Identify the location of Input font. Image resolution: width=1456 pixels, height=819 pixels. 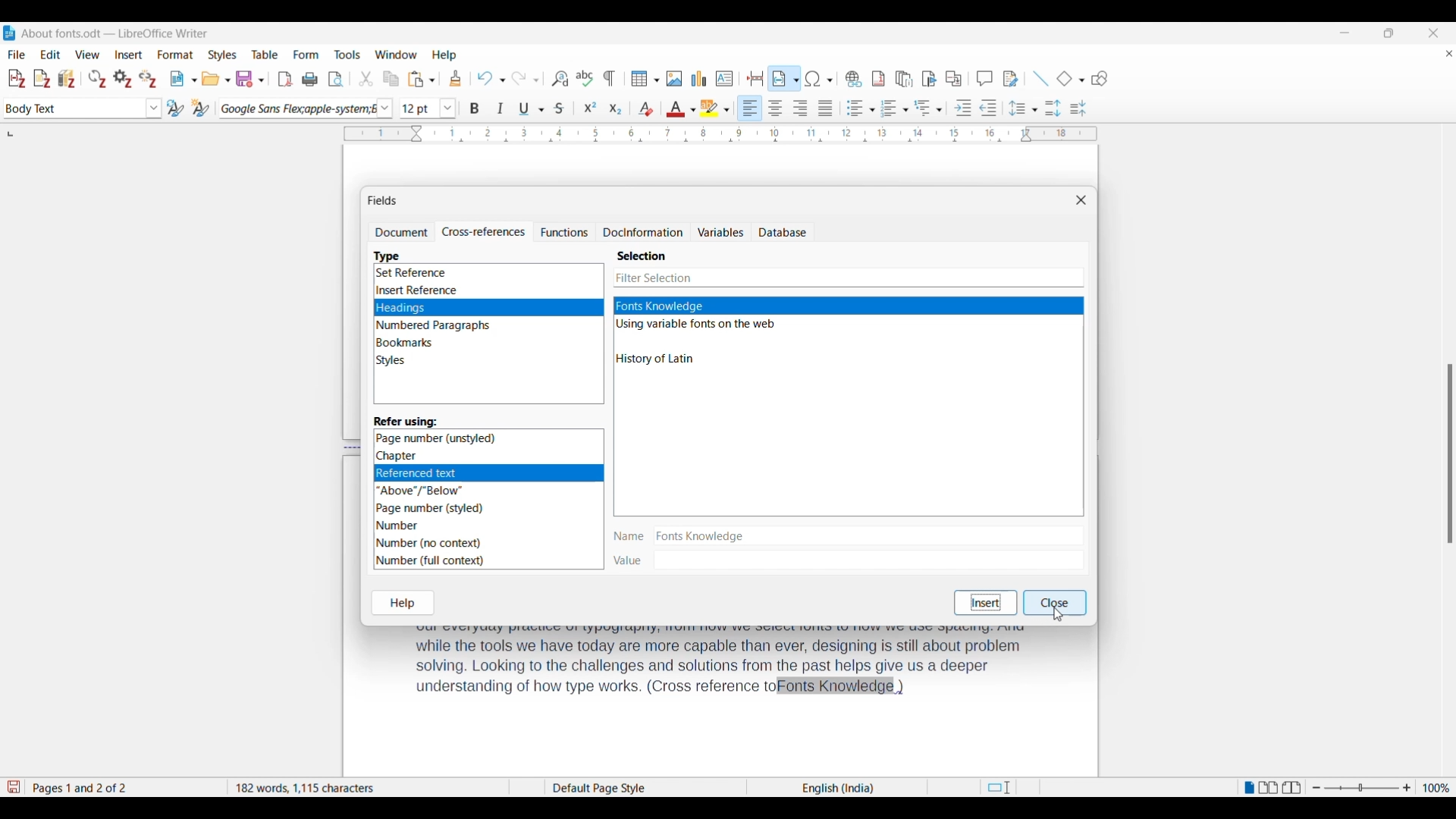
(419, 108).